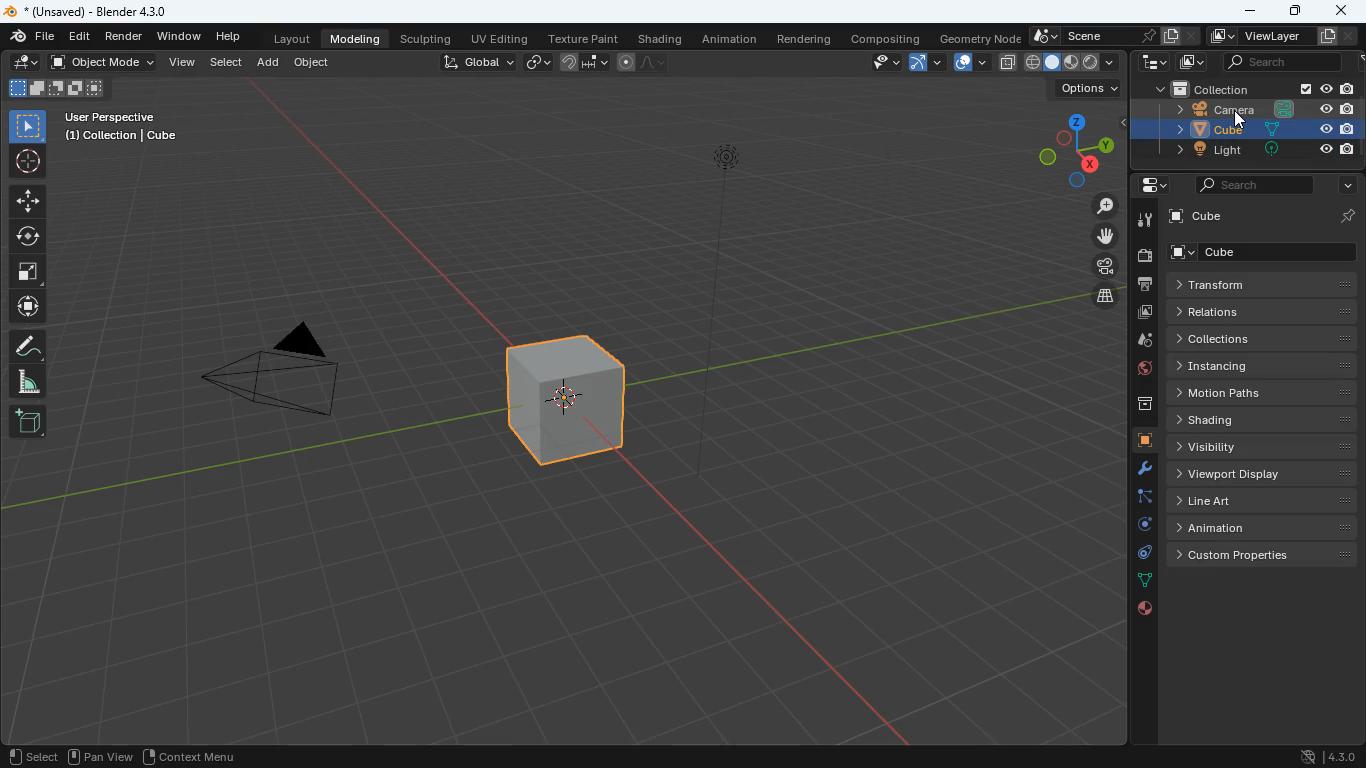 This screenshot has height=768, width=1366. I want to click on image, so click(1141, 315).